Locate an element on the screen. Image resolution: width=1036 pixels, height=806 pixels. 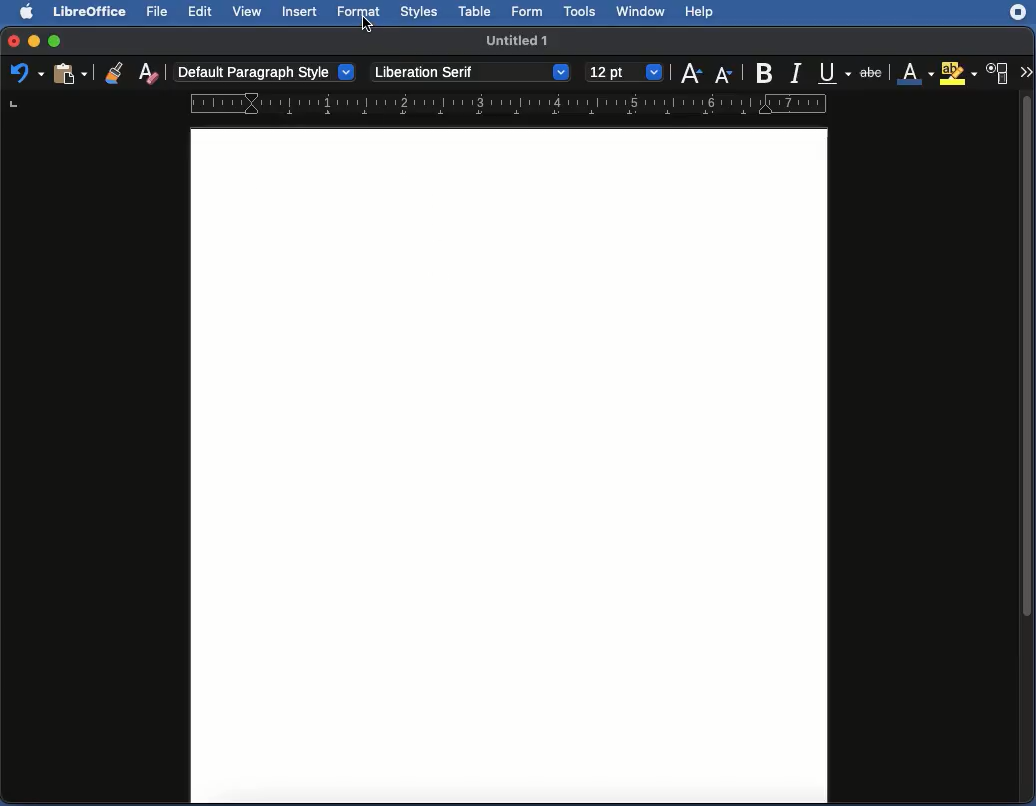
Size up is located at coordinates (691, 75).